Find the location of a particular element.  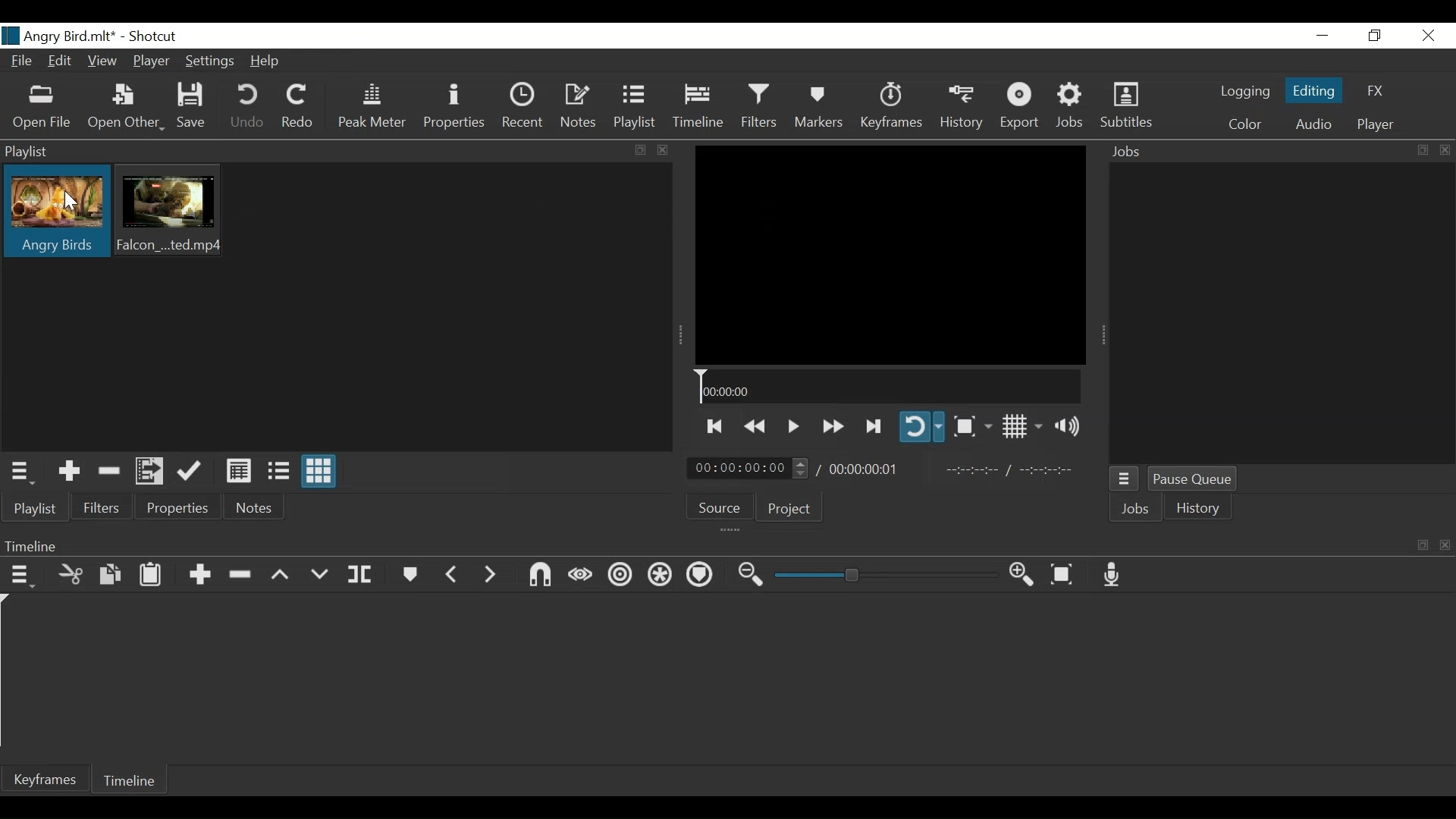

Close is located at coordinates (1428, 36).